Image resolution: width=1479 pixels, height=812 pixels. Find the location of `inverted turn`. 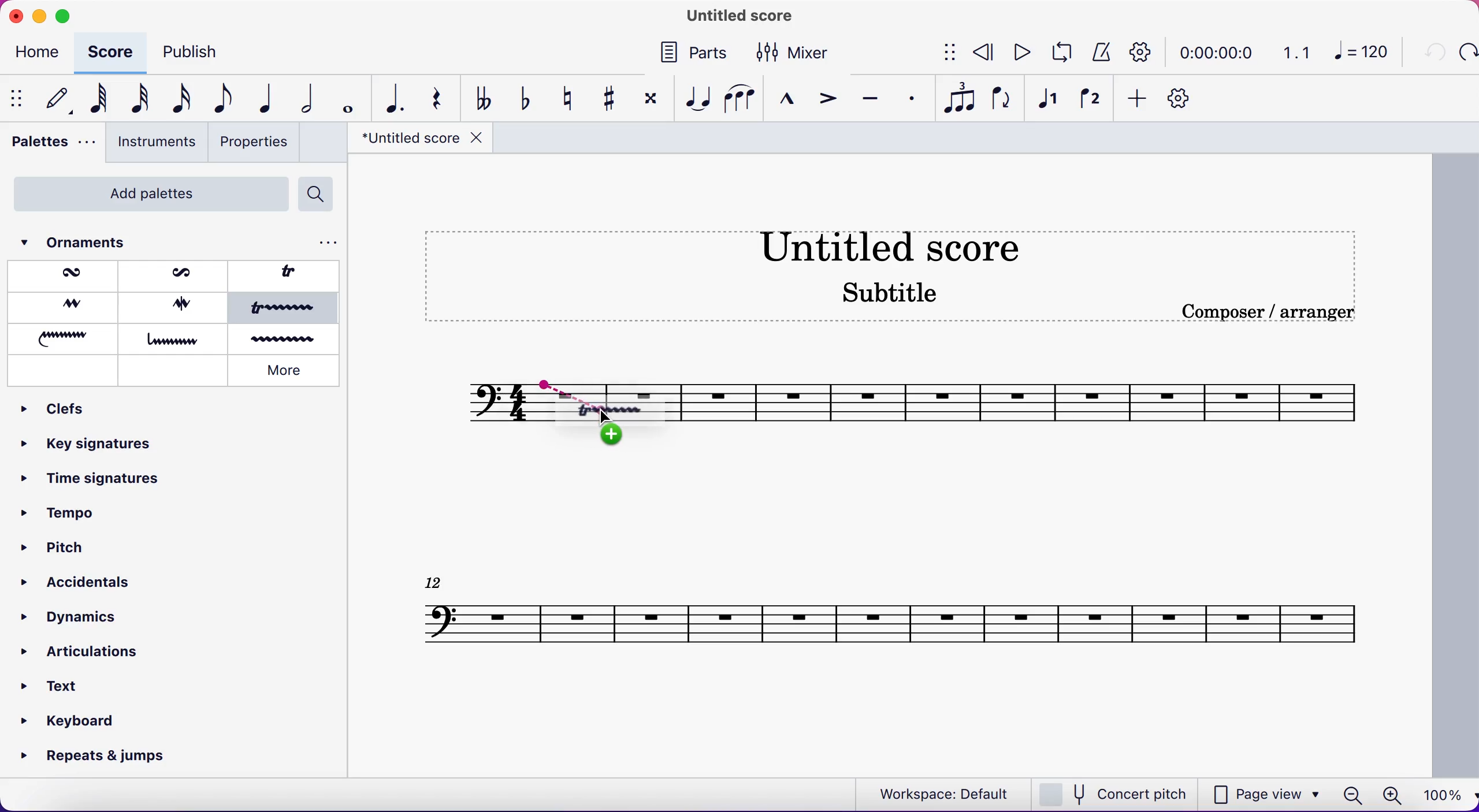

inverted turn is located at coordinates (178, 306).